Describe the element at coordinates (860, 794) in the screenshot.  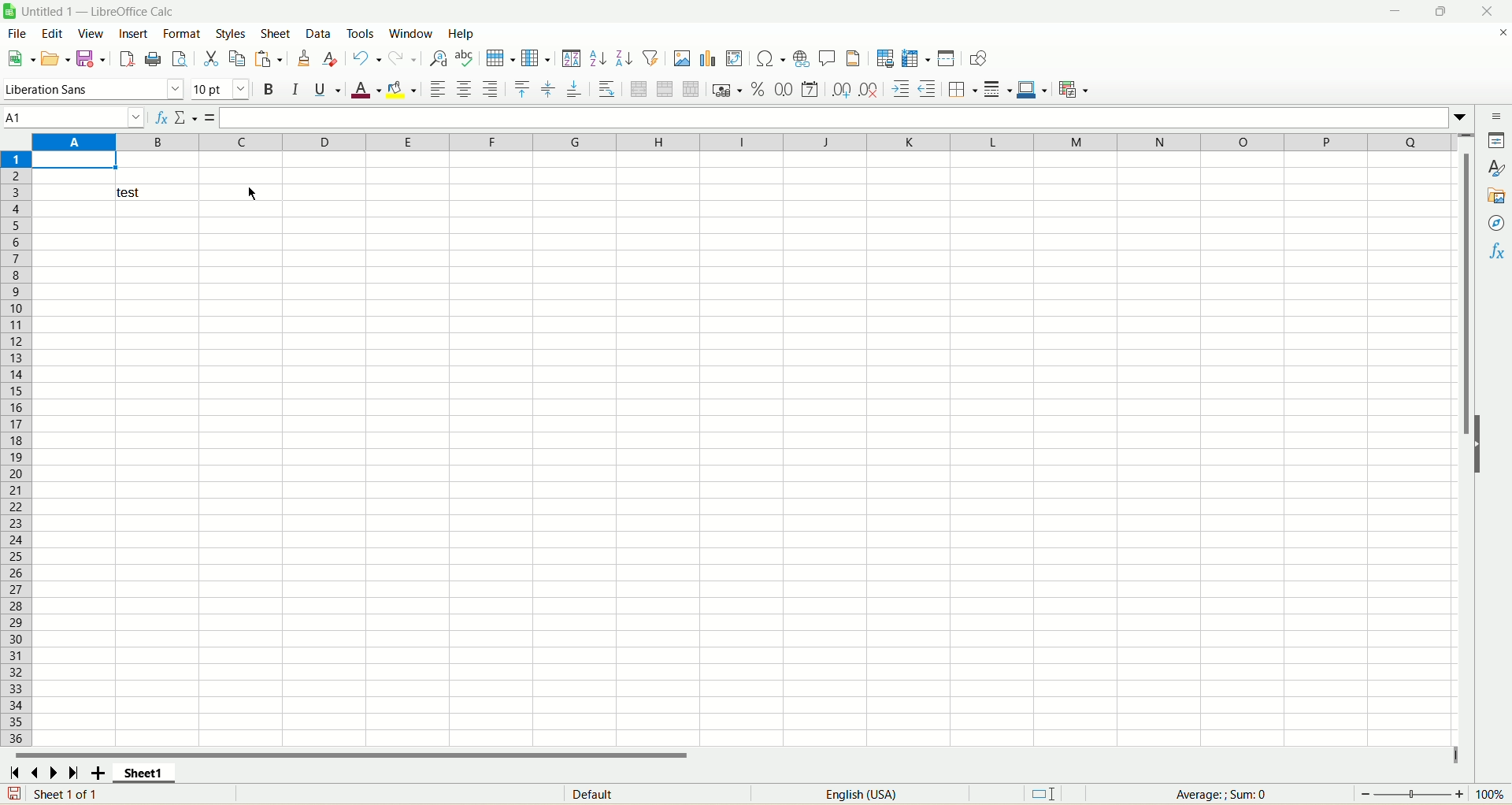
I see `English (USA)` at that location.